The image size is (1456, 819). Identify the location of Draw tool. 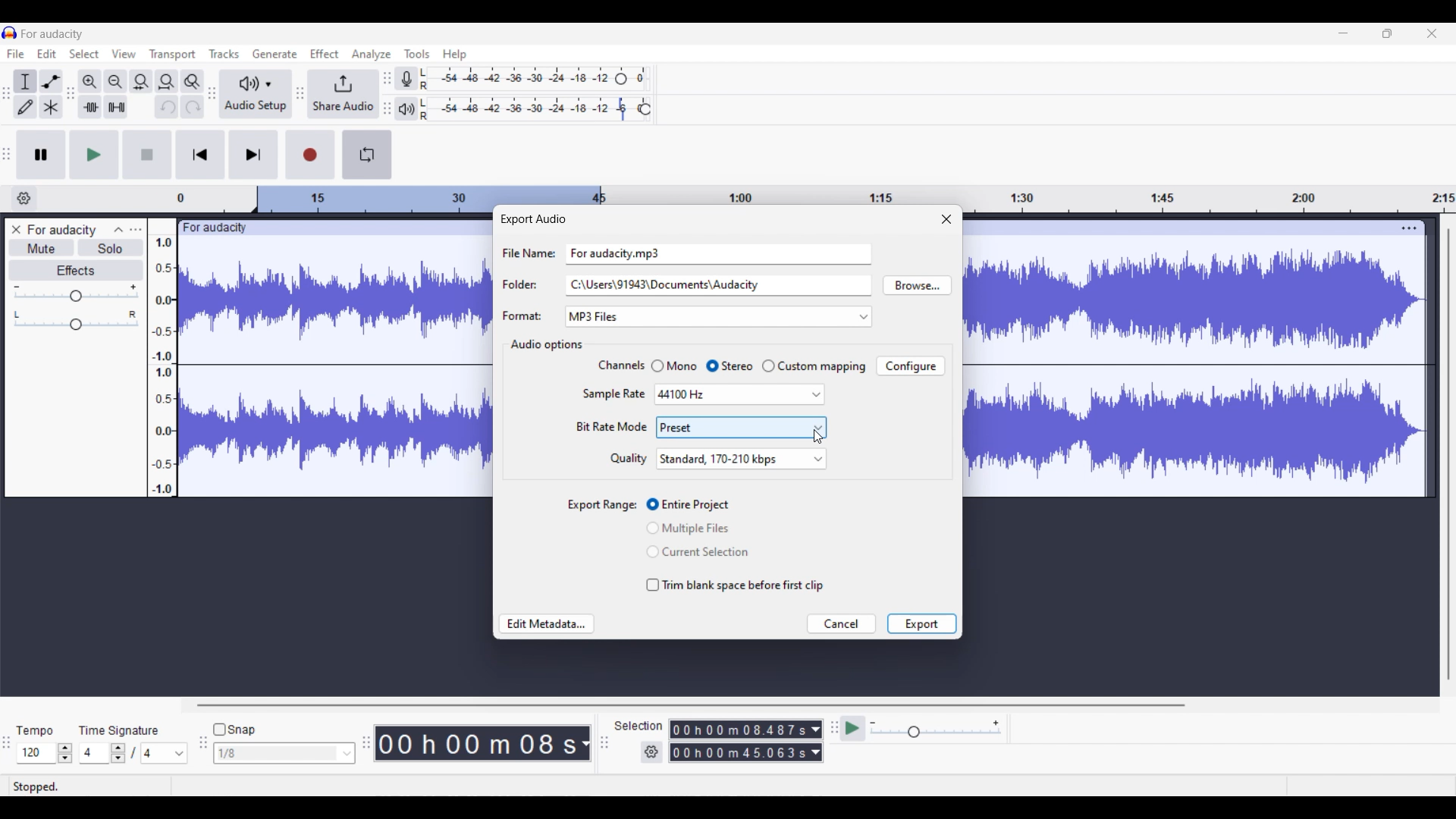
(25, 107).